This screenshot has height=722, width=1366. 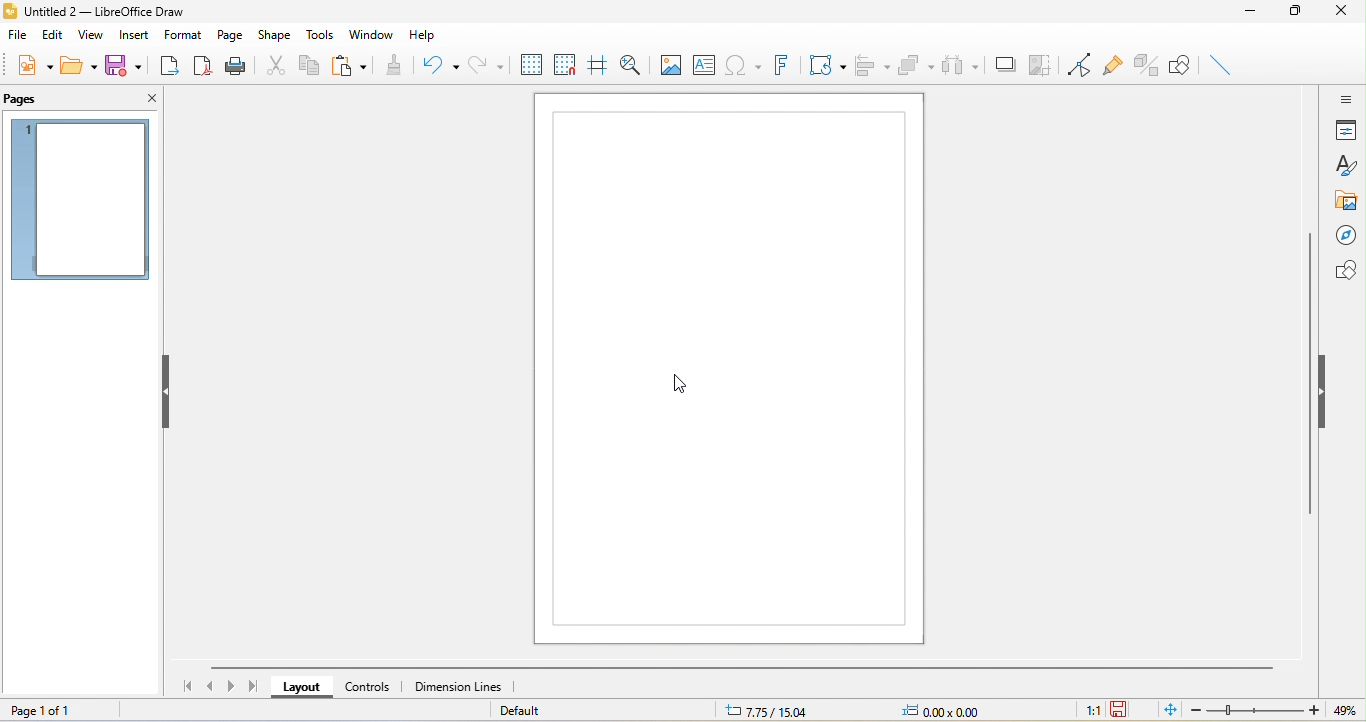 What do you see at coordinates (374, 687) in the screenshot?
I see `controls` at bounding box center [374, 687].